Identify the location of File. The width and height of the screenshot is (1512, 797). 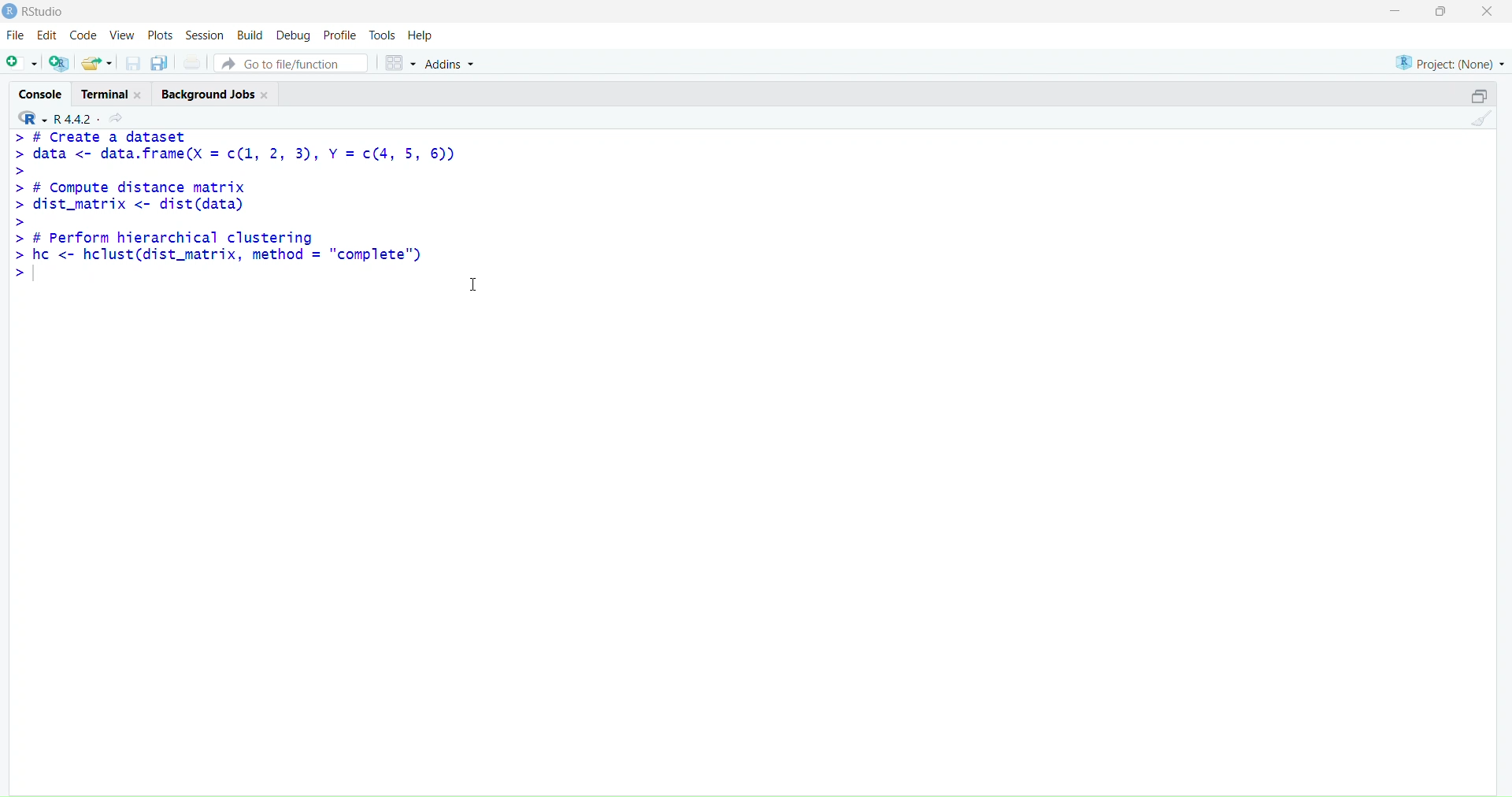
(13, 34).